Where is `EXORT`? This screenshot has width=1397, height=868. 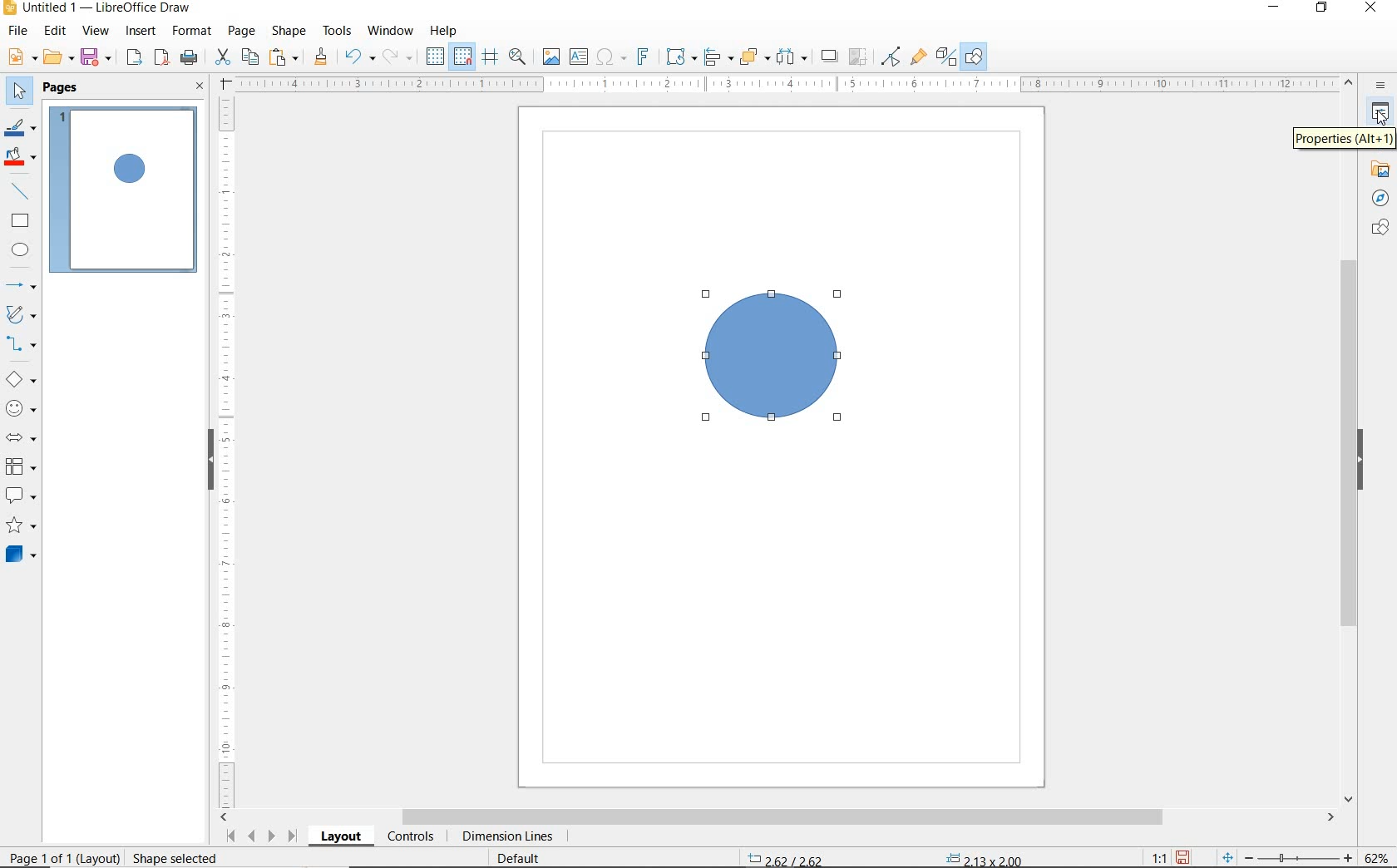 EXORT is located at coordinates (134, 57).